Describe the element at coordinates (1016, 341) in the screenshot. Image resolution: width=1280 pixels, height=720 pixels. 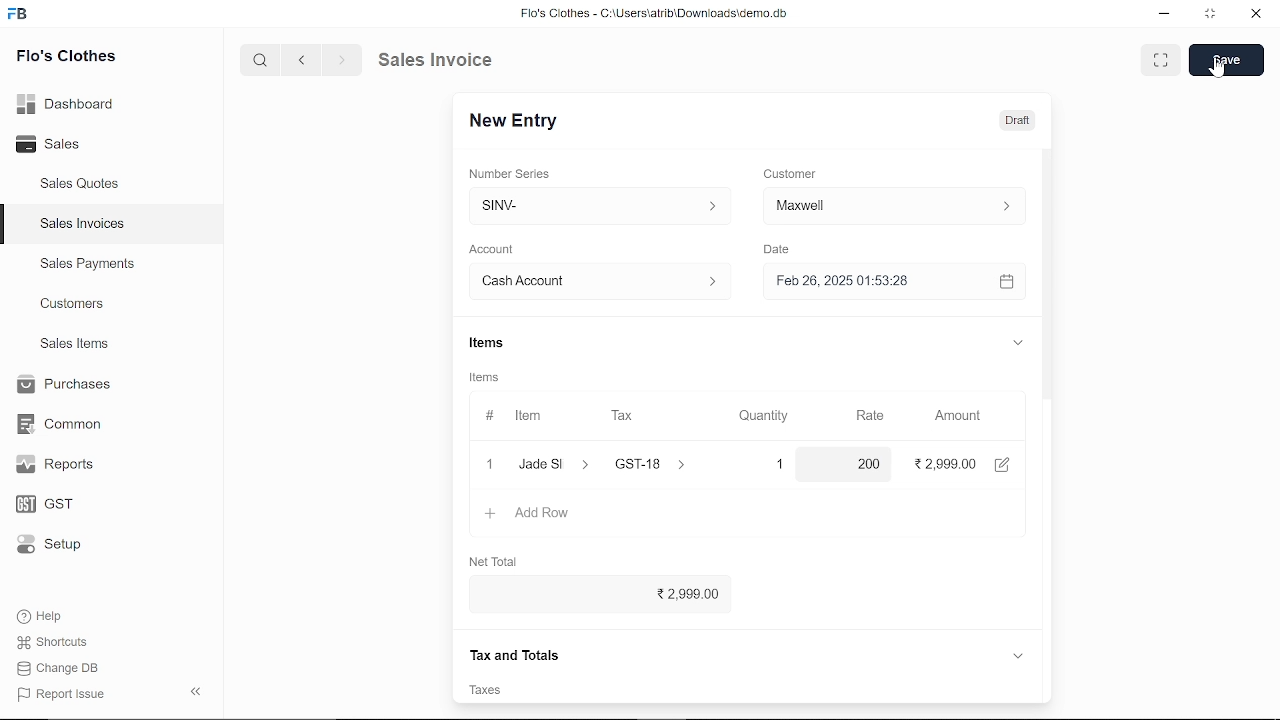
I see `expand` at that location.